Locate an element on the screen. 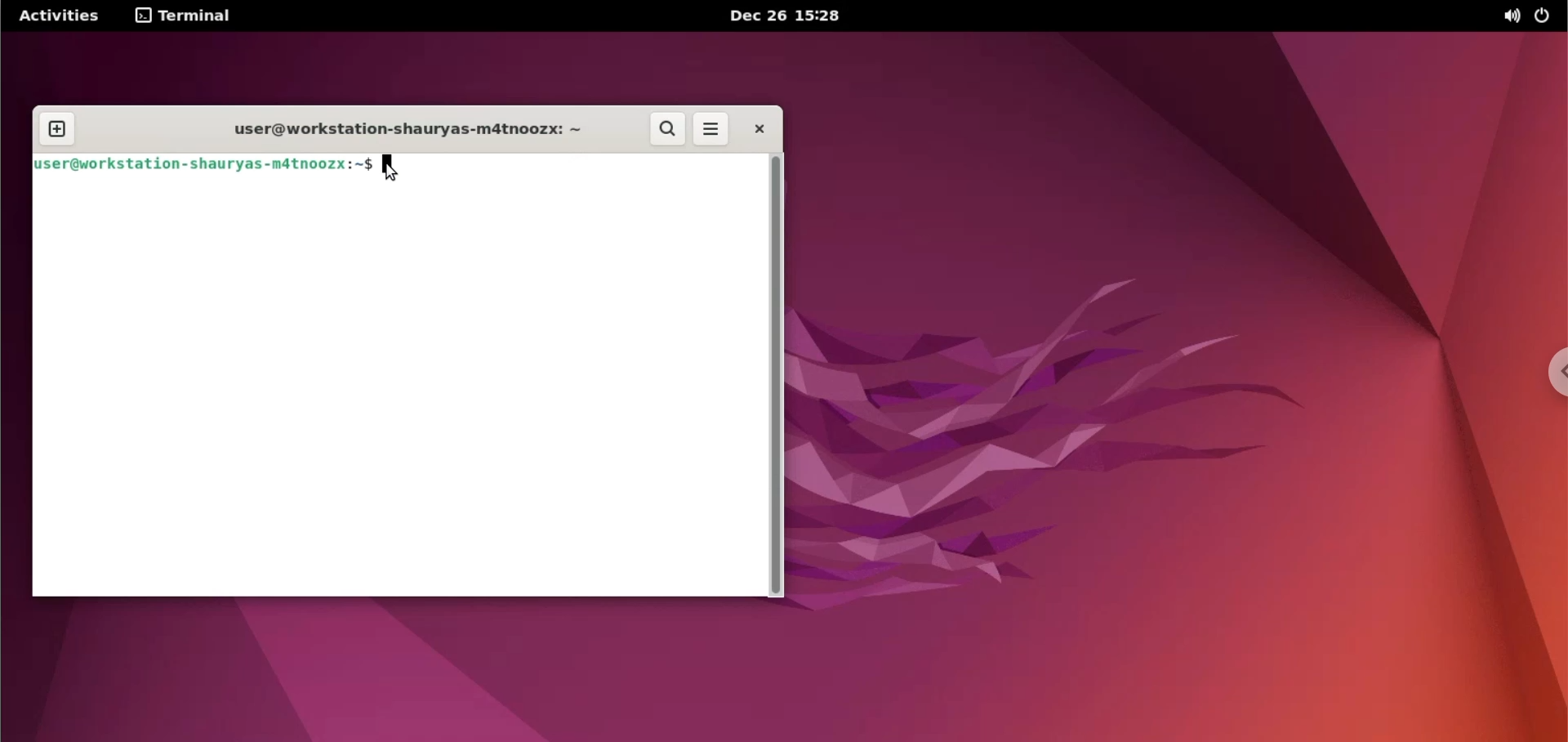 This screenshot has height=742, width=1568. more options is located at coordinates (712, 127).